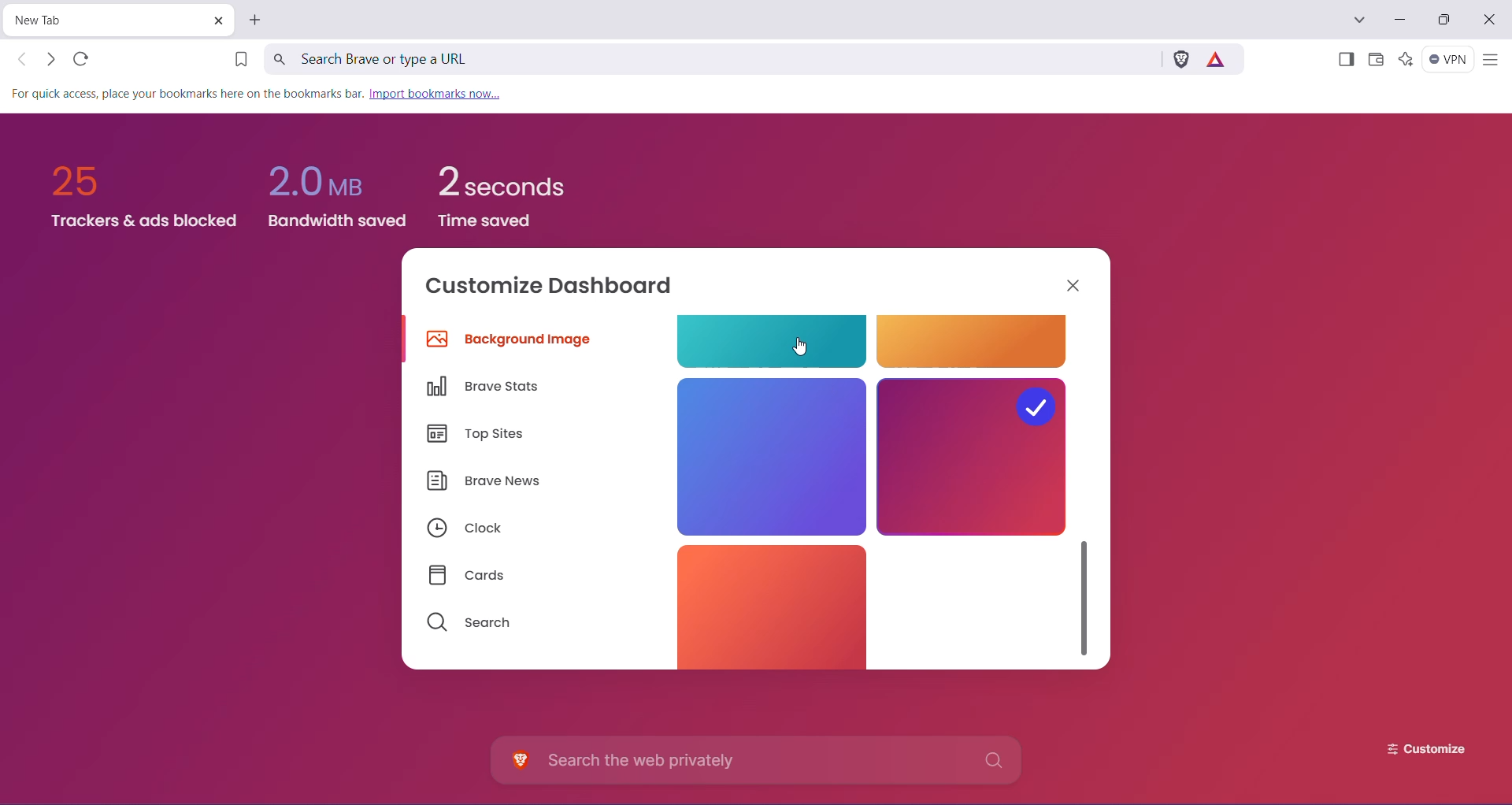  I want to click on New Tab, so click(106, 20).